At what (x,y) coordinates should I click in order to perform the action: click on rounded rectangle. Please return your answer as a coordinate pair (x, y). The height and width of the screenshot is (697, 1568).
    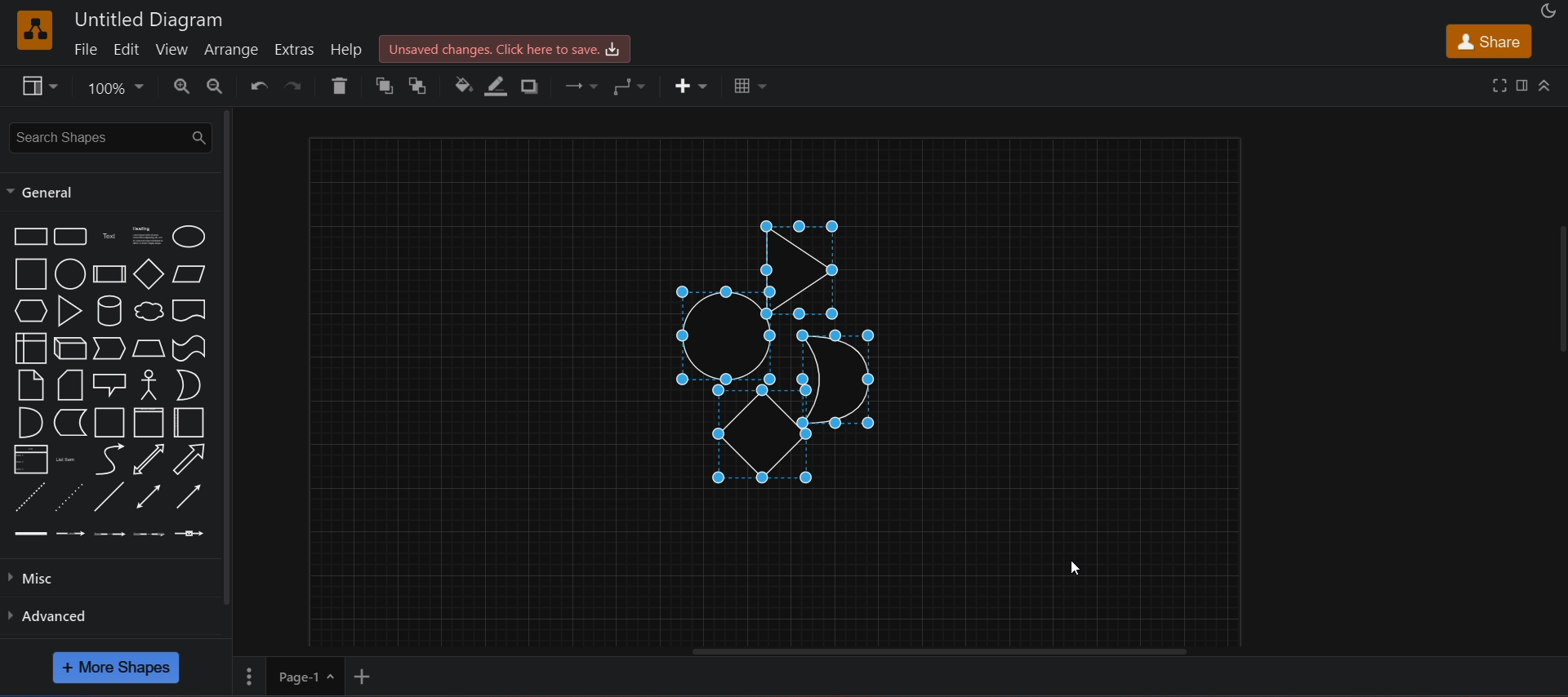
    Looking at the image, I should click on (72, 238).